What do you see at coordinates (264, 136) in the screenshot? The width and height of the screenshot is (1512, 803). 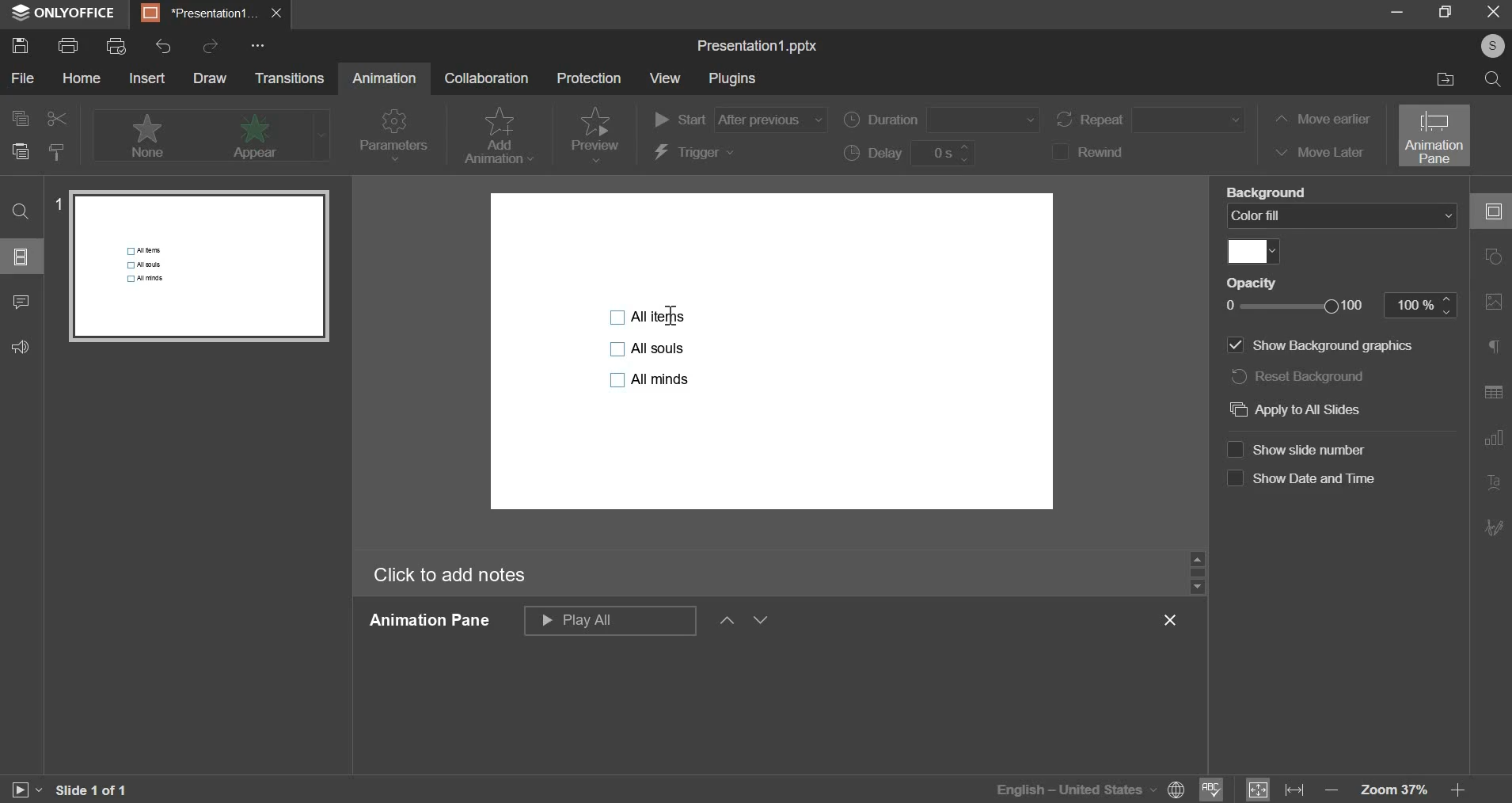 I see `appear` at bounding box center [264, 136].